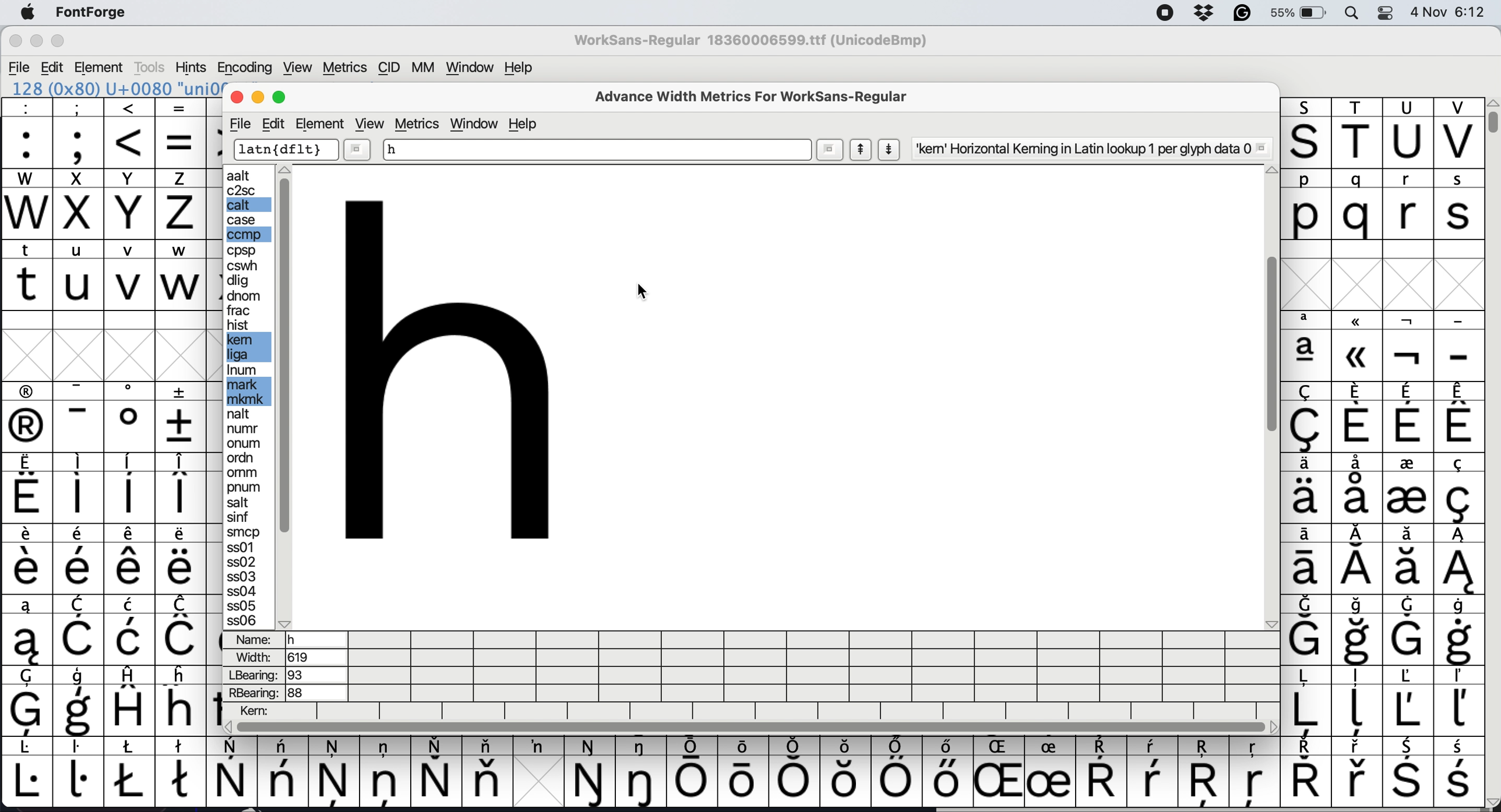  I want to click on lbearing, so click(273, 675).